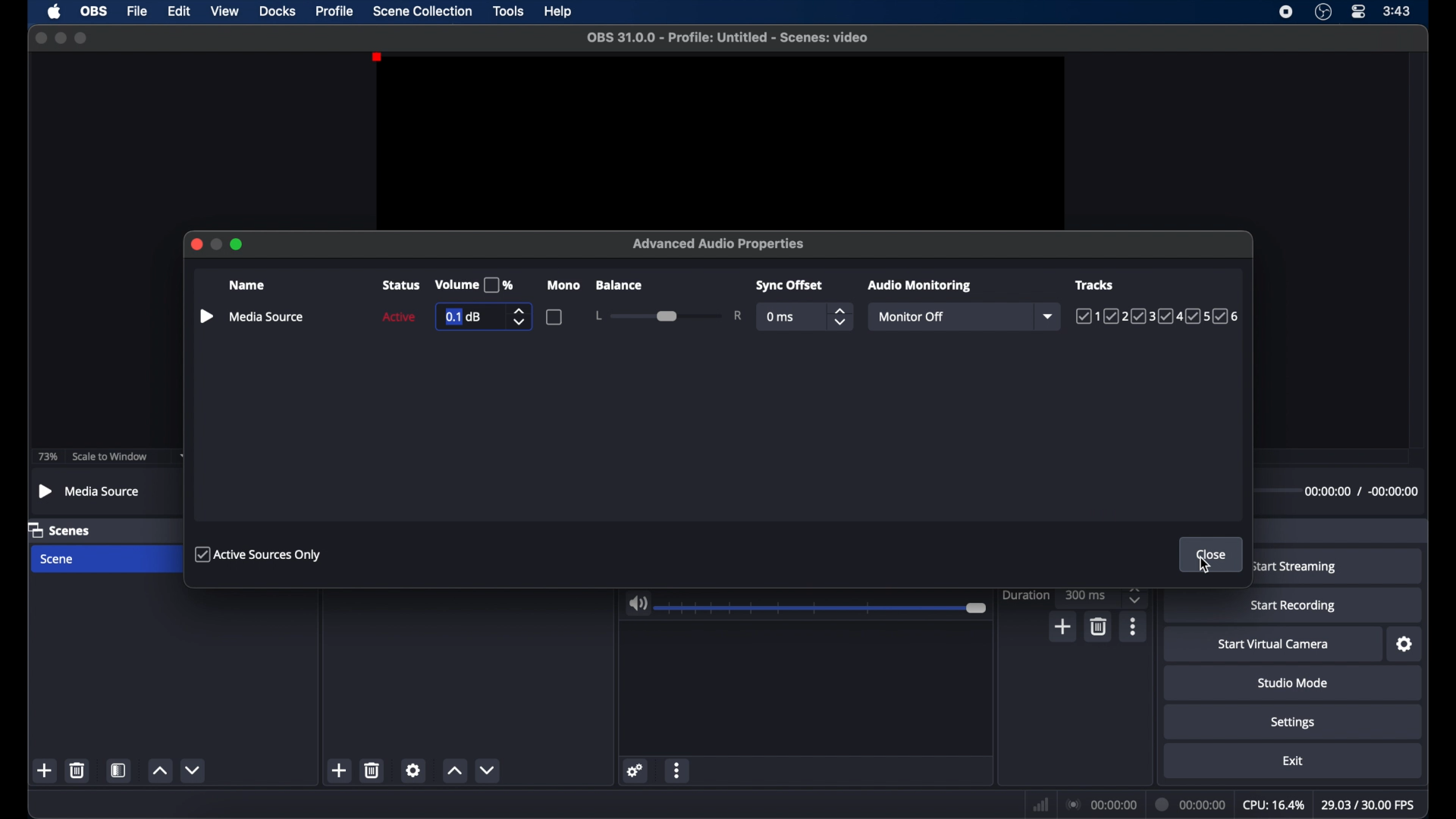 This screenshot has width=1456, height=819. Describe the element at coordinates (1087, 594) in the screenshot. I see `300 ms` at that location.